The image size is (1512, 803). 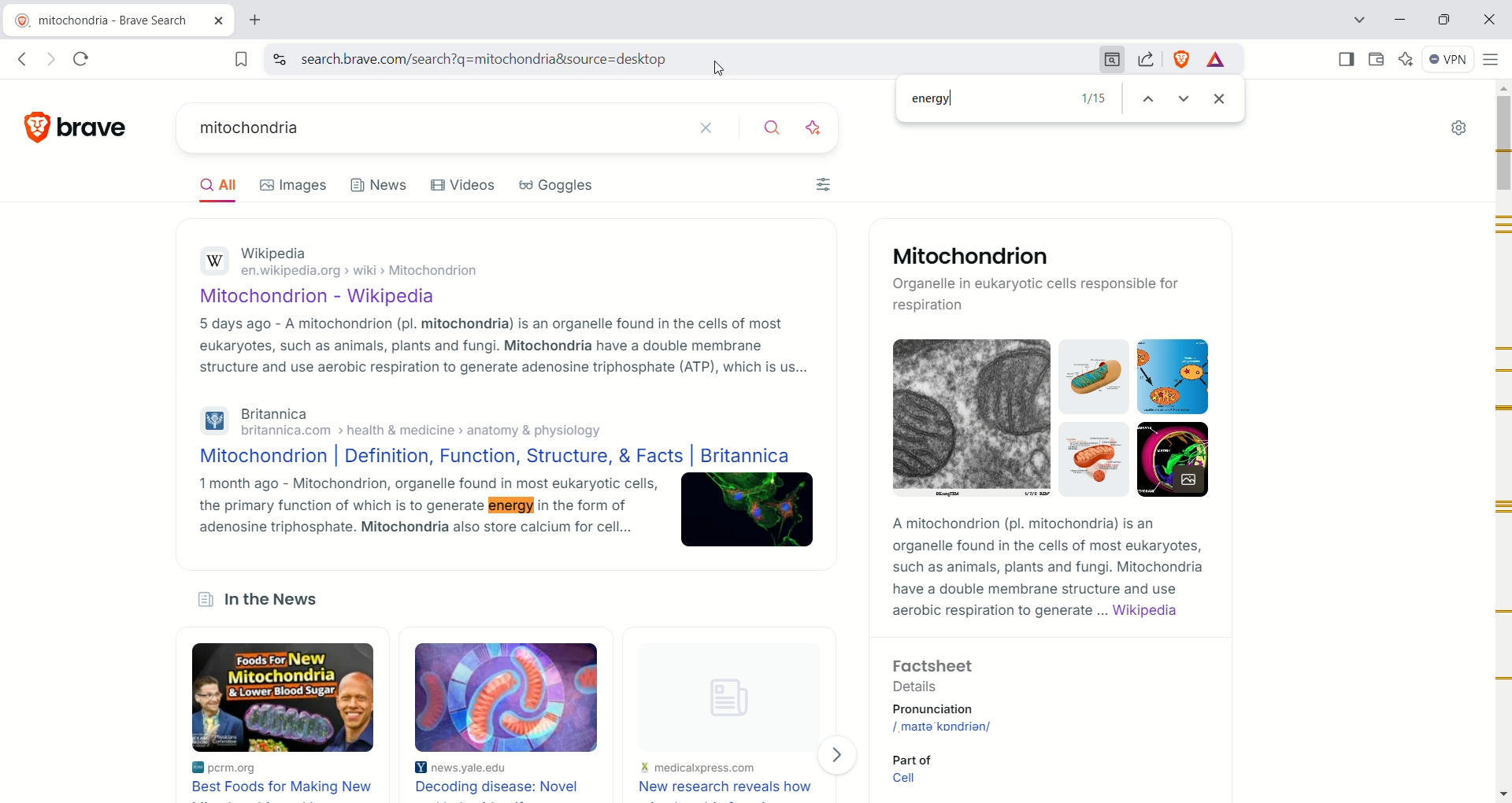 What do you see at coordinates (968, 687) in the screenshot?
I see `Factsheet Details Pronunciation` at bounding box center [968, 687].